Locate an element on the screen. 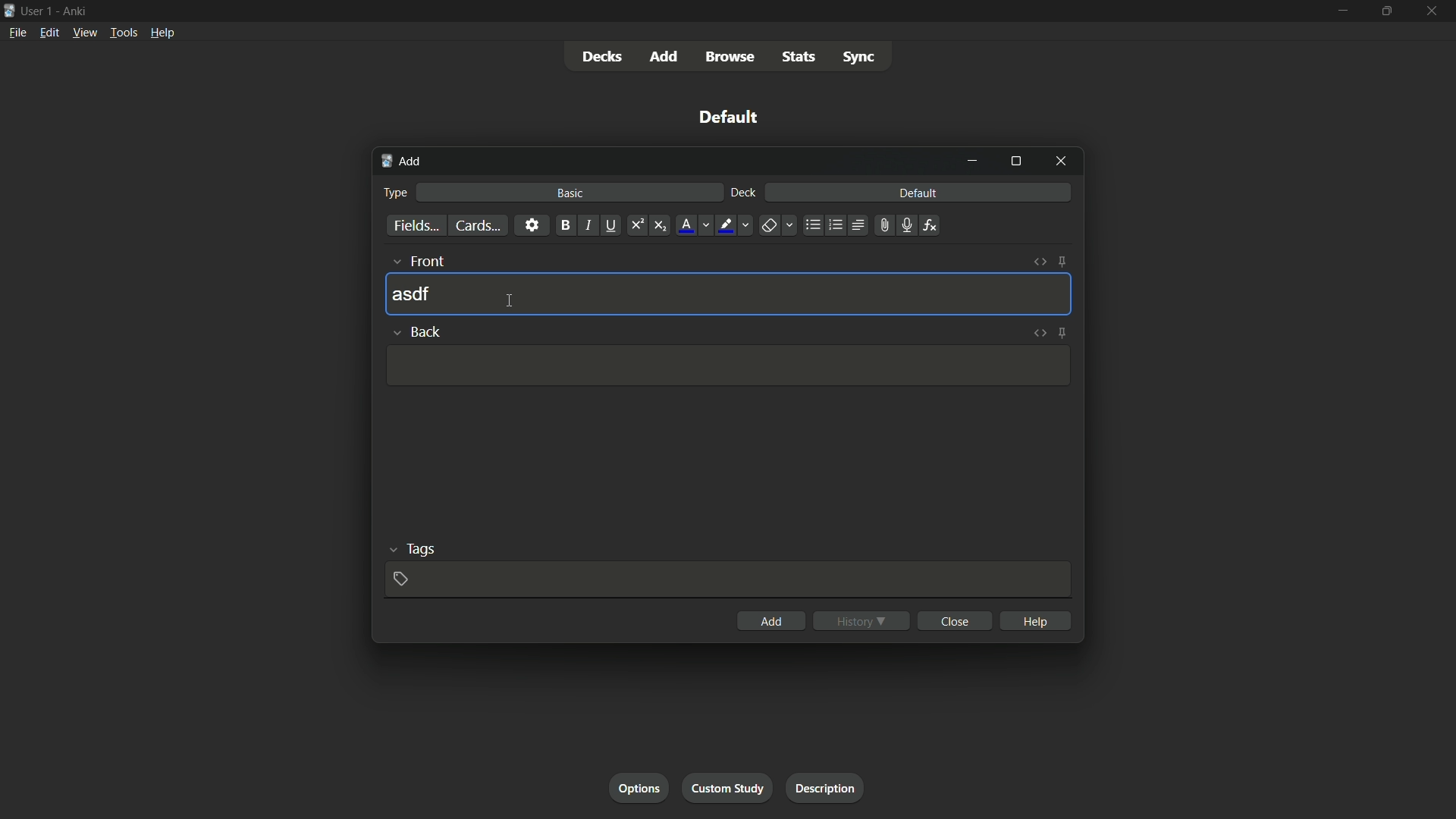 The height and width of the screenshot is (819, 1456). history is located at coordinates (862, 620).